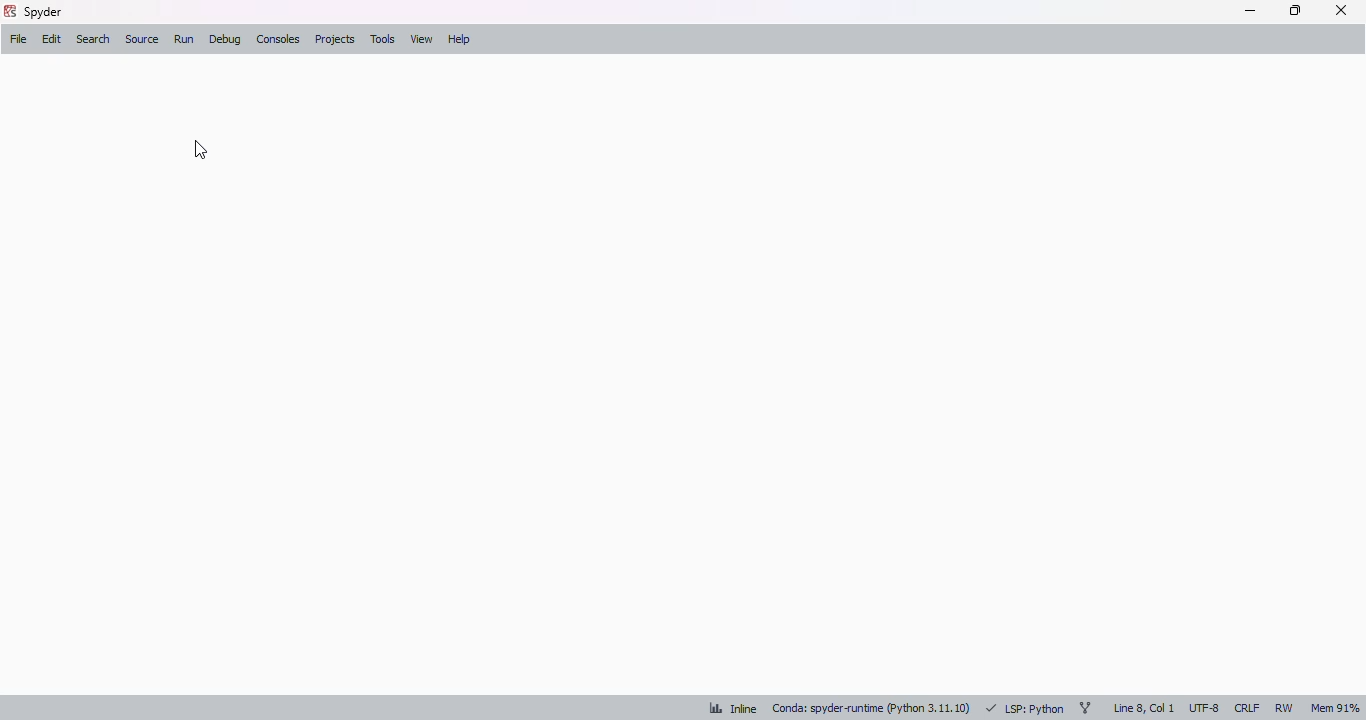 Image resolution: width=1366 pixels, height=720 pixels. I want to click on help, so click(458, 40).